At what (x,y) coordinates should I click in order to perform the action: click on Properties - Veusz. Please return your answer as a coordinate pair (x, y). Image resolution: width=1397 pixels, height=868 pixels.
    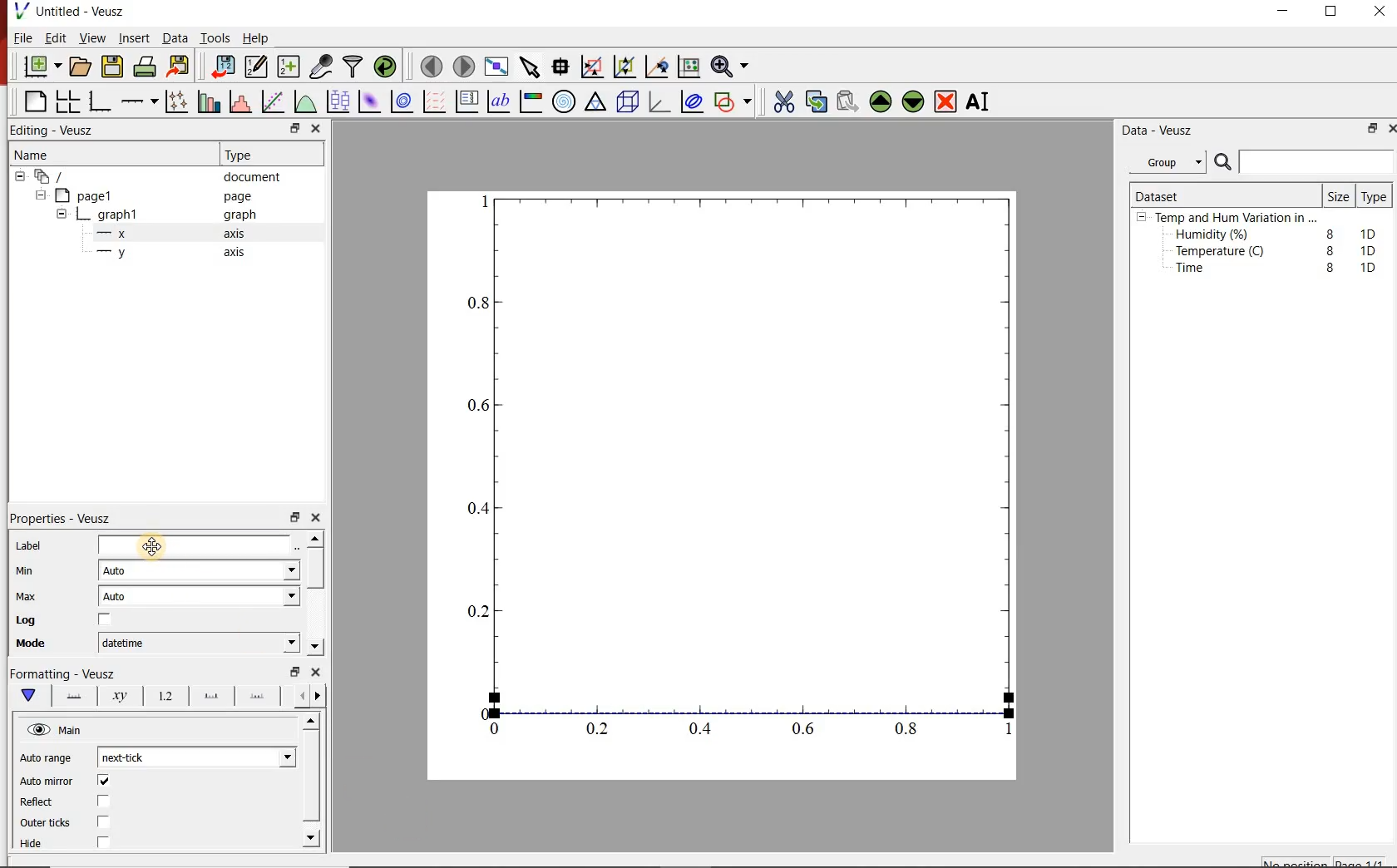
    Looking at the image, I should click on (69, 515).